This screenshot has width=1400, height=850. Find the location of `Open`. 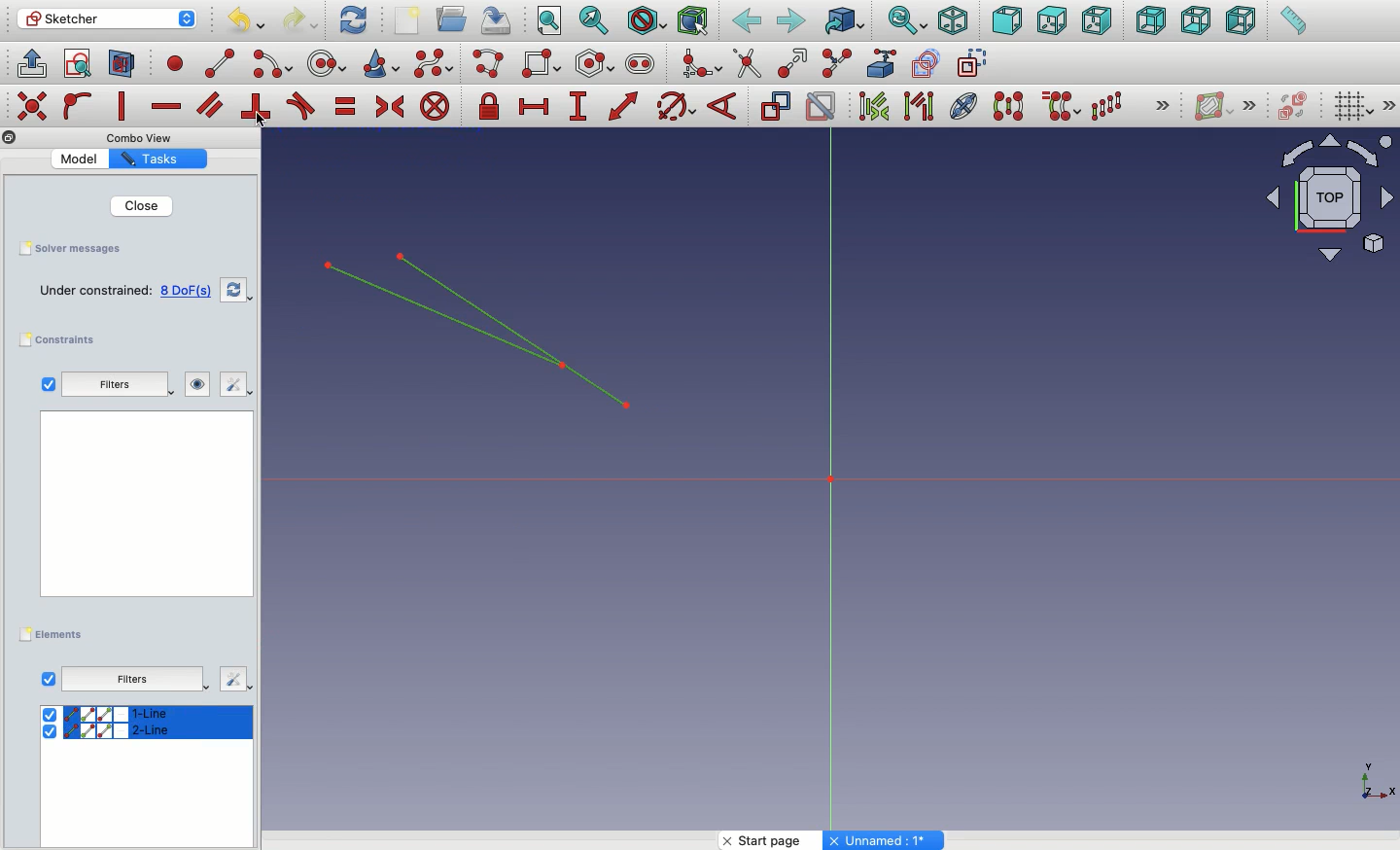

Open is located at coordinates (454, 18).